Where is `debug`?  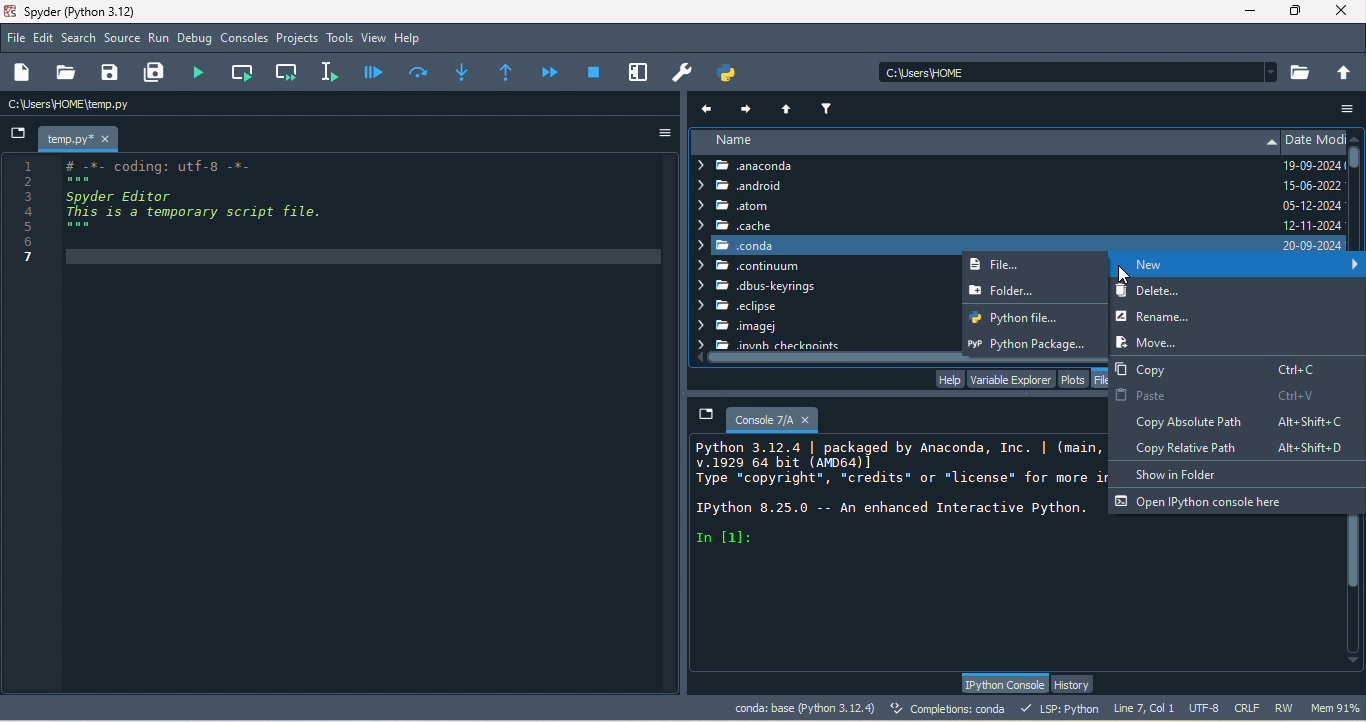
debug is located at coordinates (197, 40).